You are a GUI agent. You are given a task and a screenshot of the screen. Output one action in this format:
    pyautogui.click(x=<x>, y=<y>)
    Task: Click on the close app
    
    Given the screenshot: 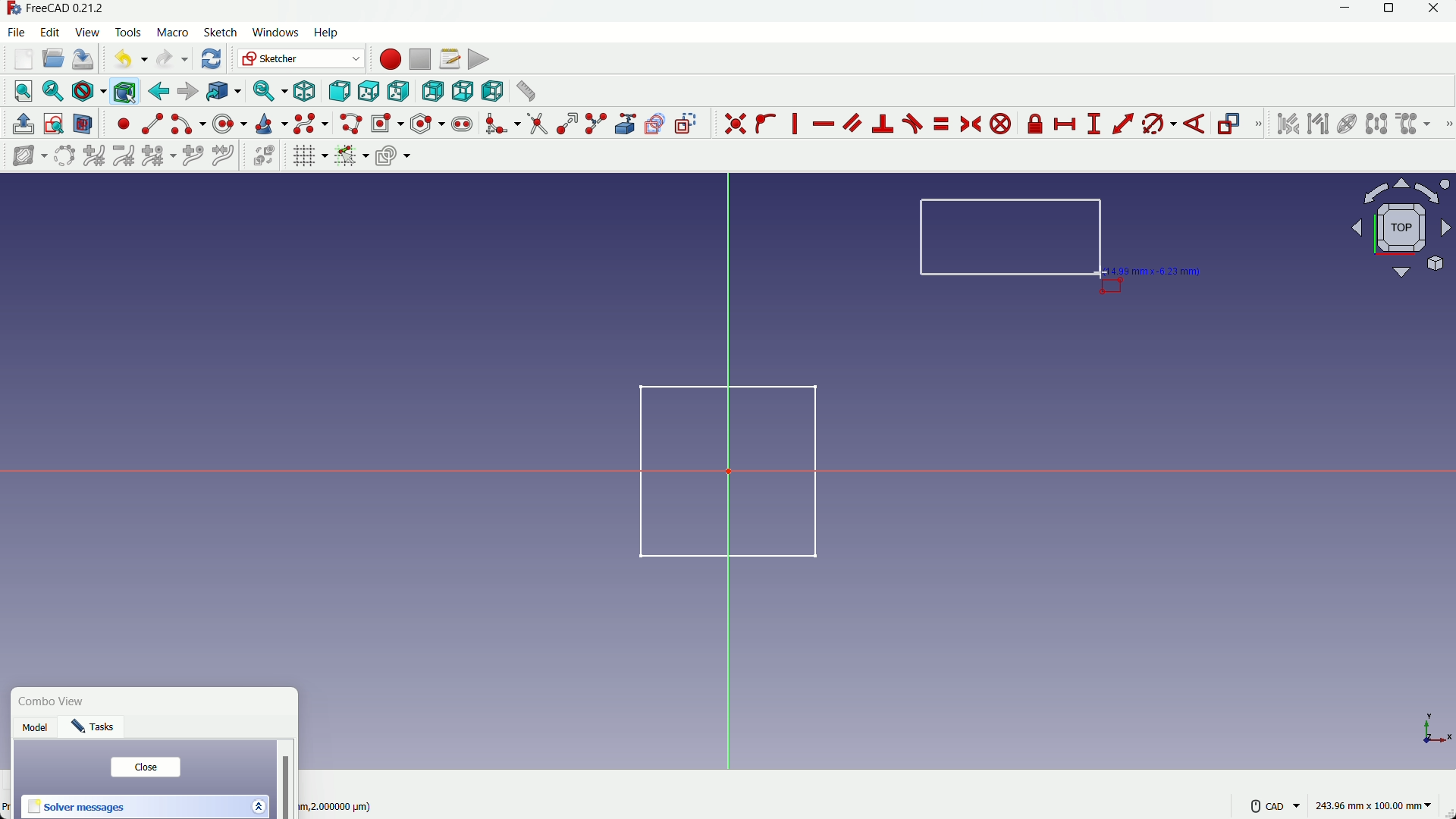 What is the action you would take?
    pyautogui.click(x=1439, y=11)
    